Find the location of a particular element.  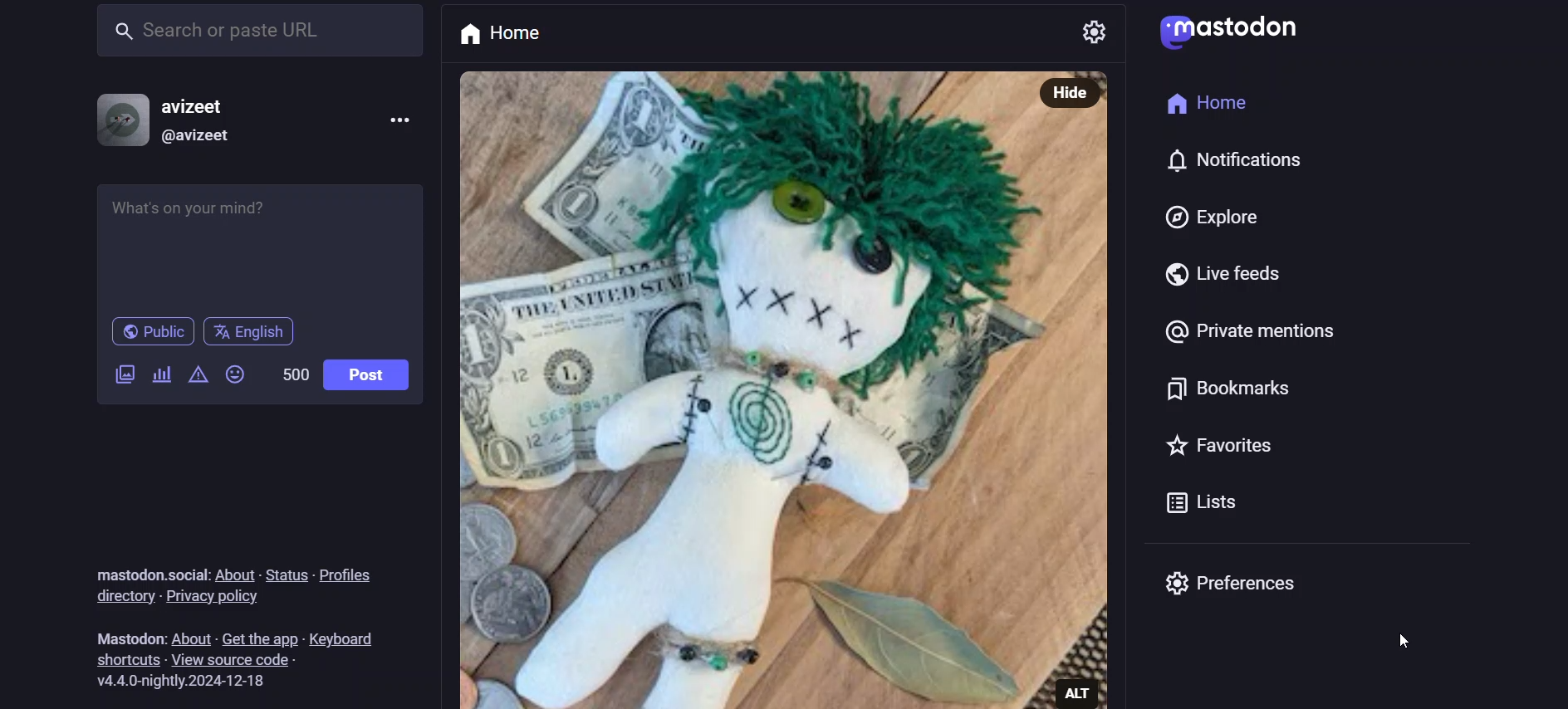

live feeds is located at coordinates (1221, 277).